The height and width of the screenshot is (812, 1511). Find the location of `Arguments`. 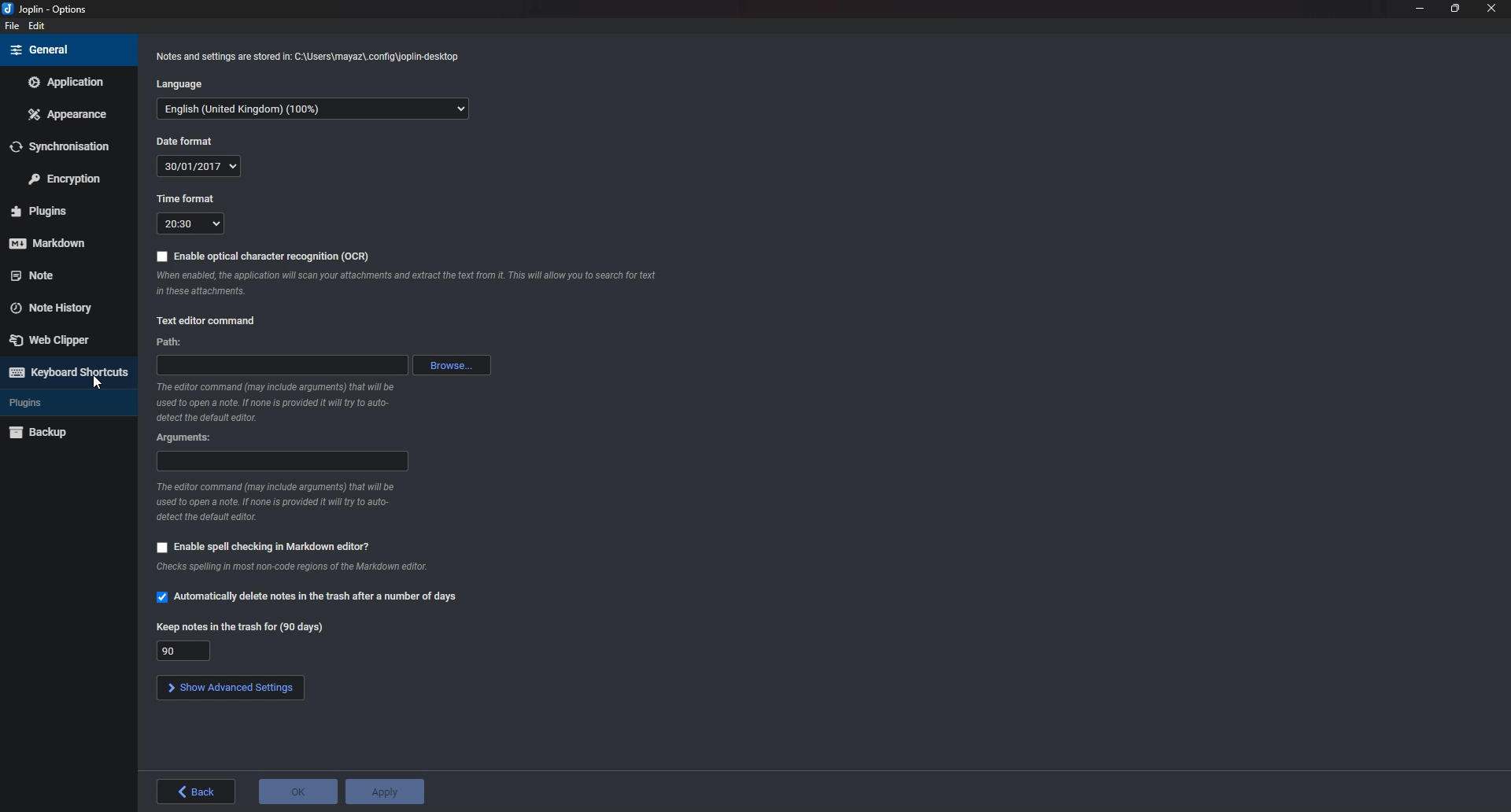

Arguments is located at coordinates (283, 461).